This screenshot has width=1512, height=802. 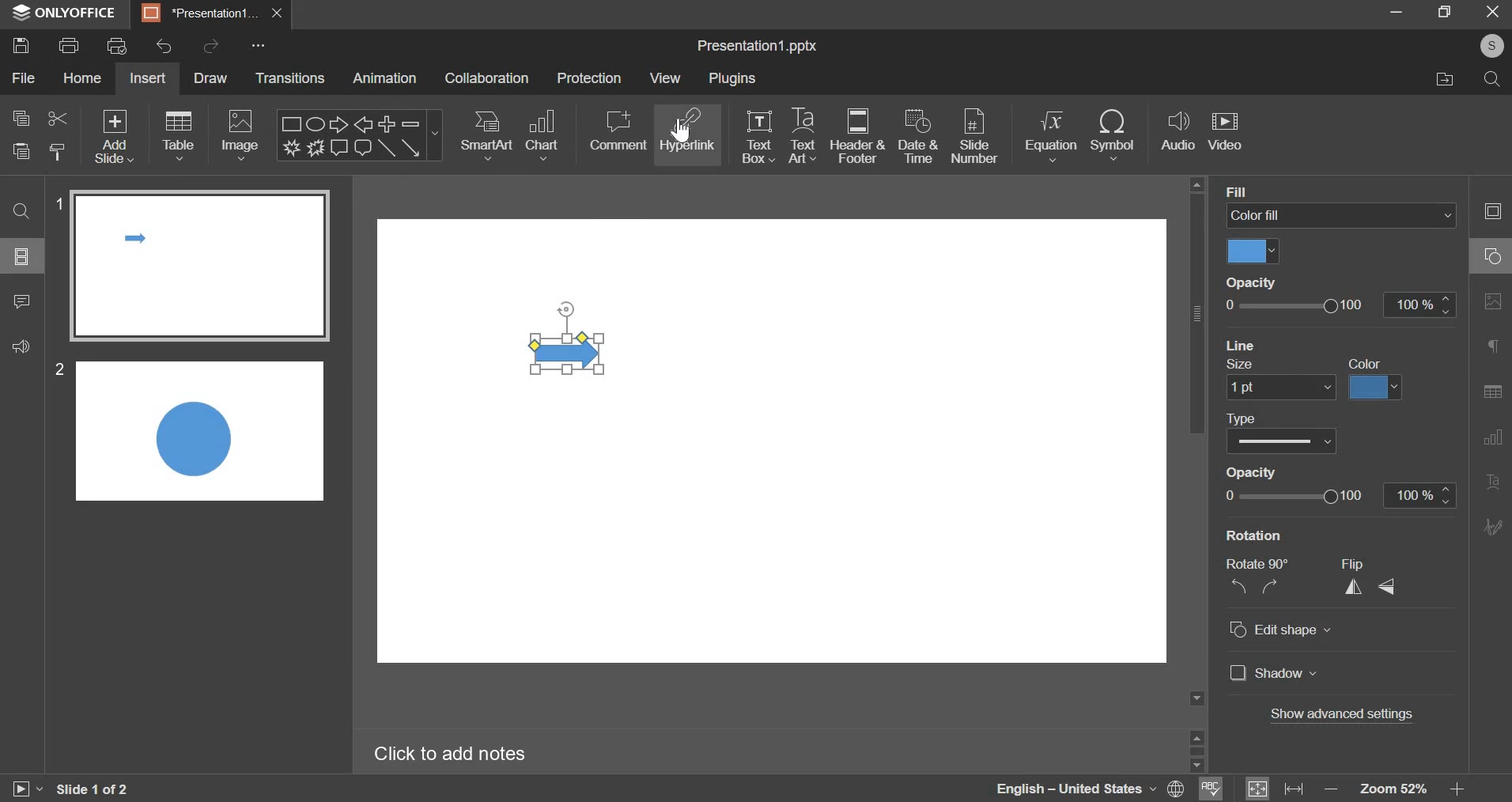 I want to click on view, so click(x=665, y=79).